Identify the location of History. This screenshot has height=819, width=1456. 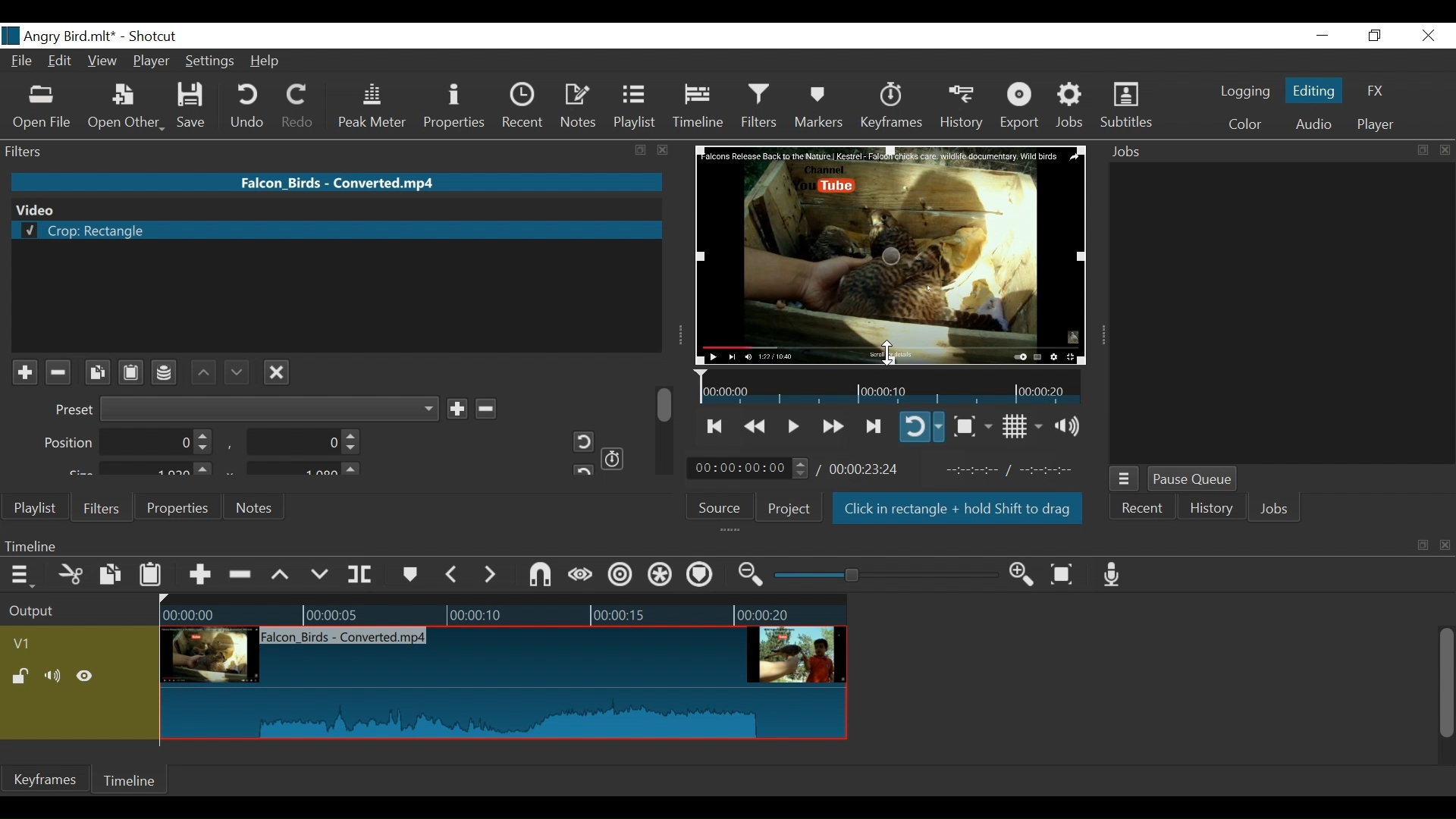
(1212, 510).